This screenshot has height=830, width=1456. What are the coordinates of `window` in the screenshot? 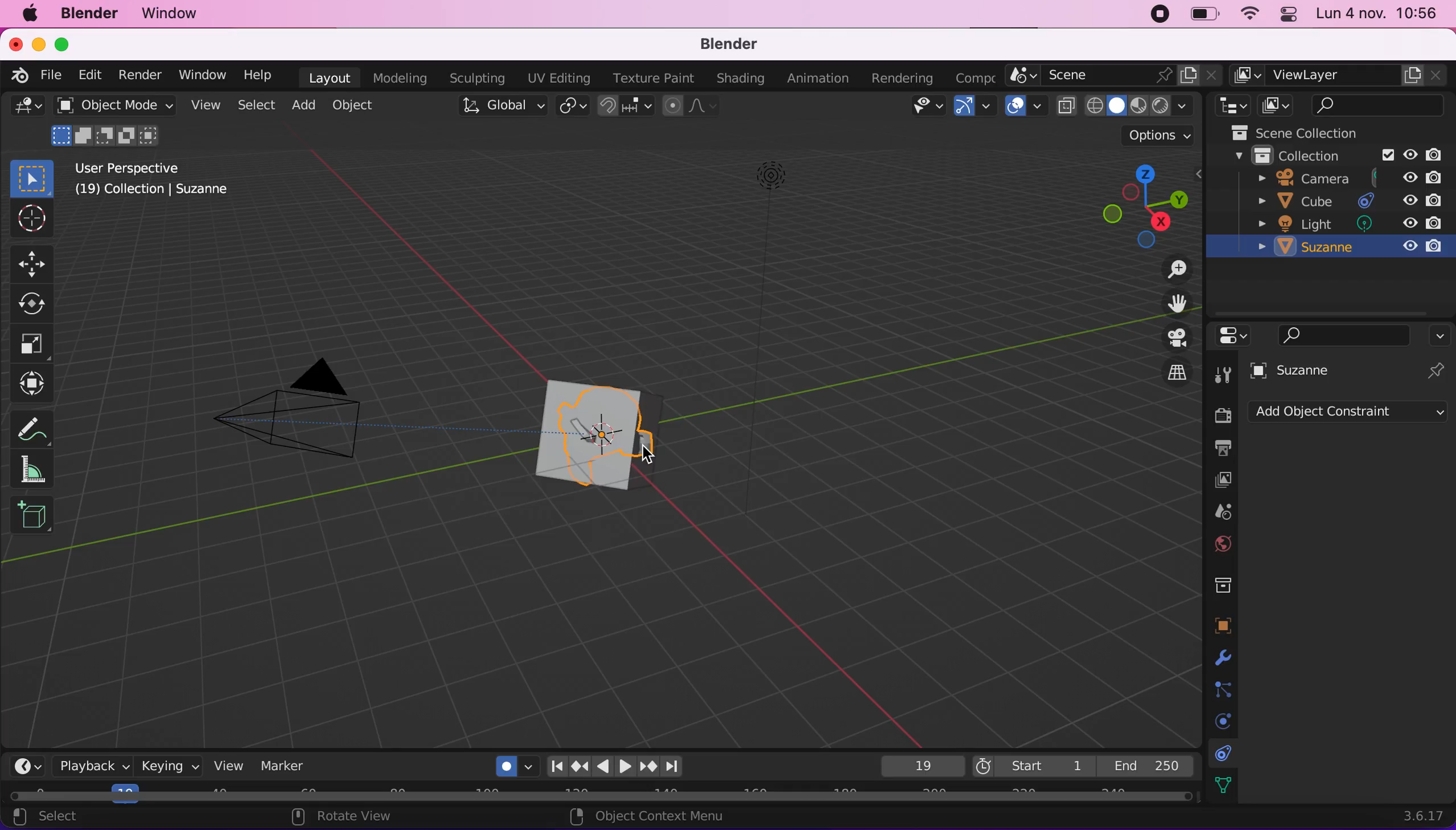 It's located at (170, 14).